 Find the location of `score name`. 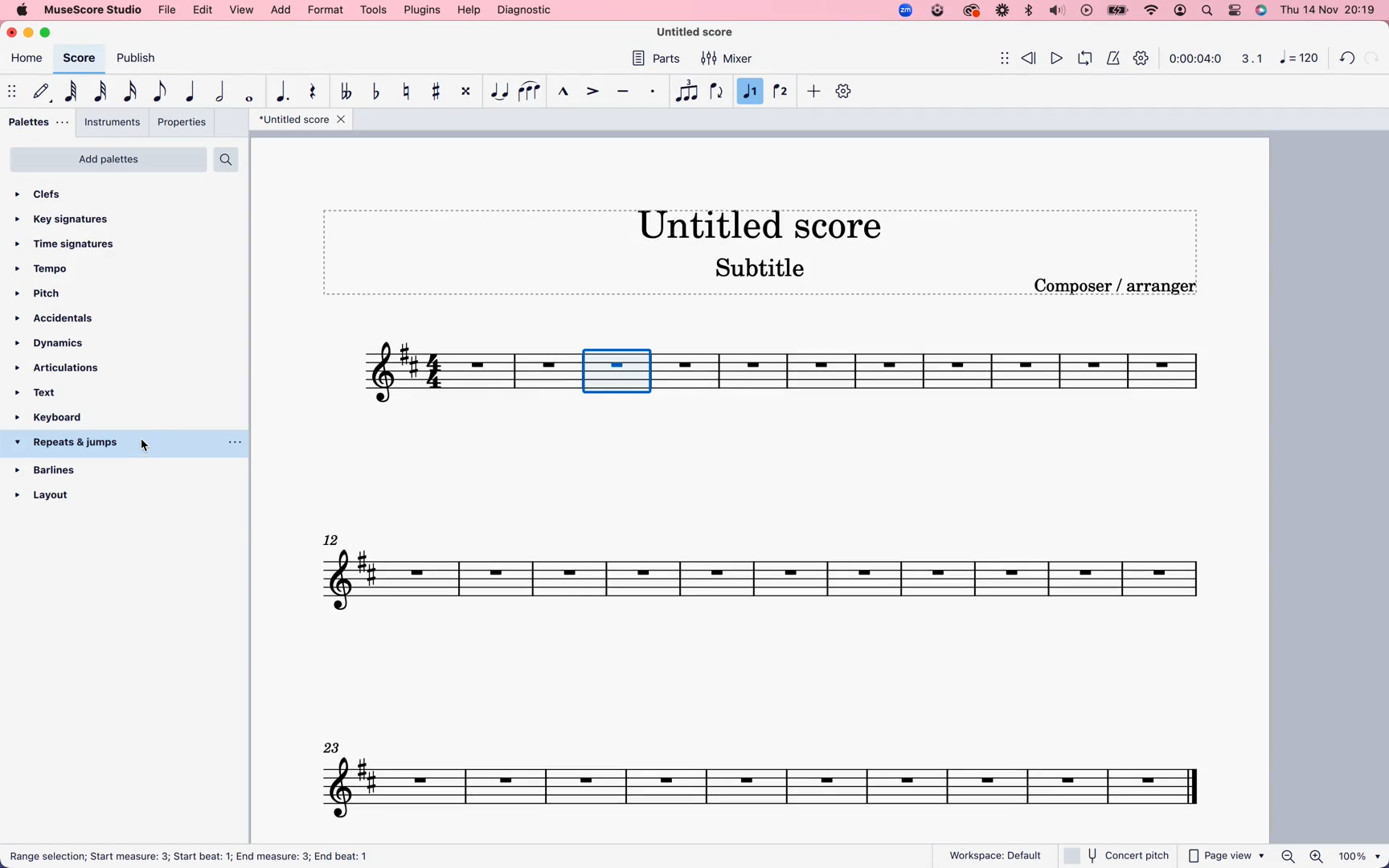

score name is located at coordinates (770, 223).